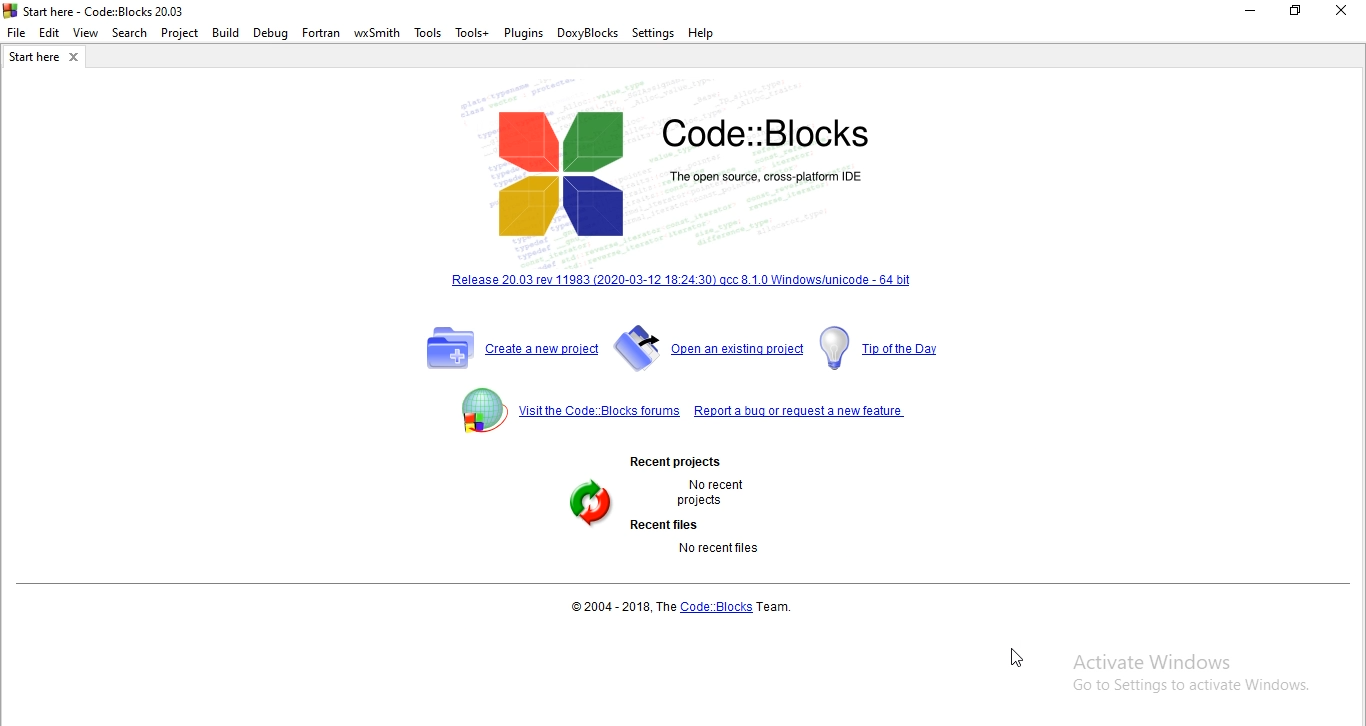  Describe the element at coordinates (622, 607) in the screenshot. I see `2004 - 2018, The` at that location.